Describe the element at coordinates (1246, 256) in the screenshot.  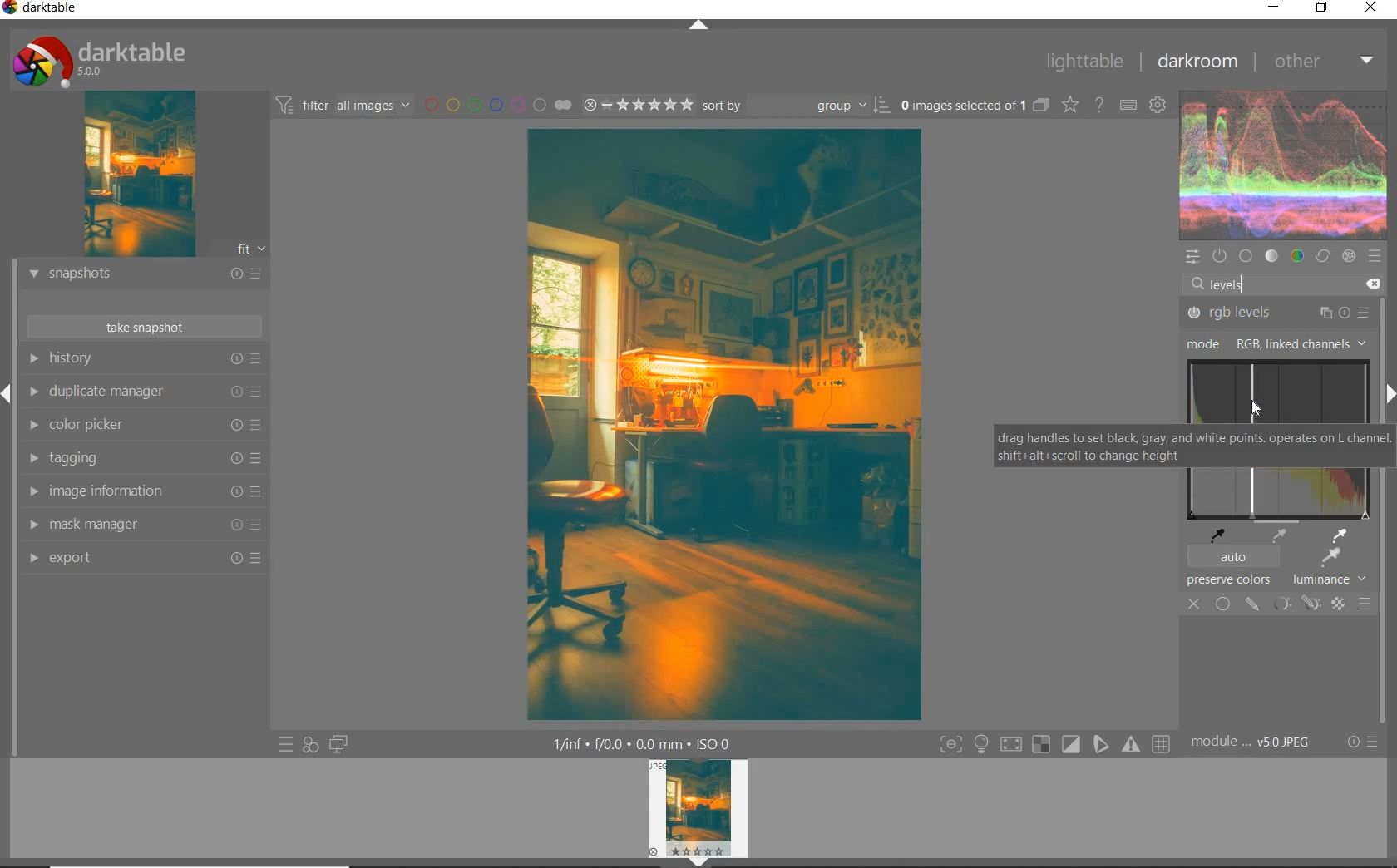
I see `base` at that location.